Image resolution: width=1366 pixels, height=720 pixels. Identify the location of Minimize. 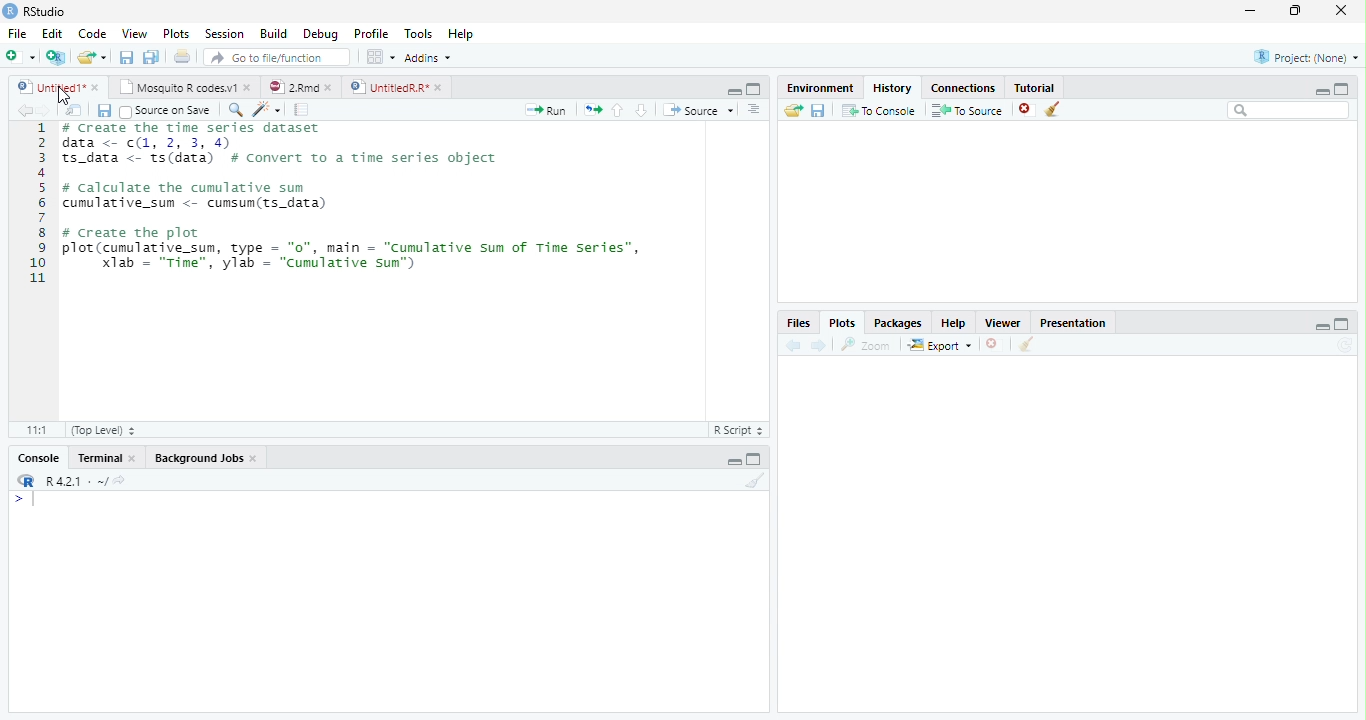
(1320, 92).